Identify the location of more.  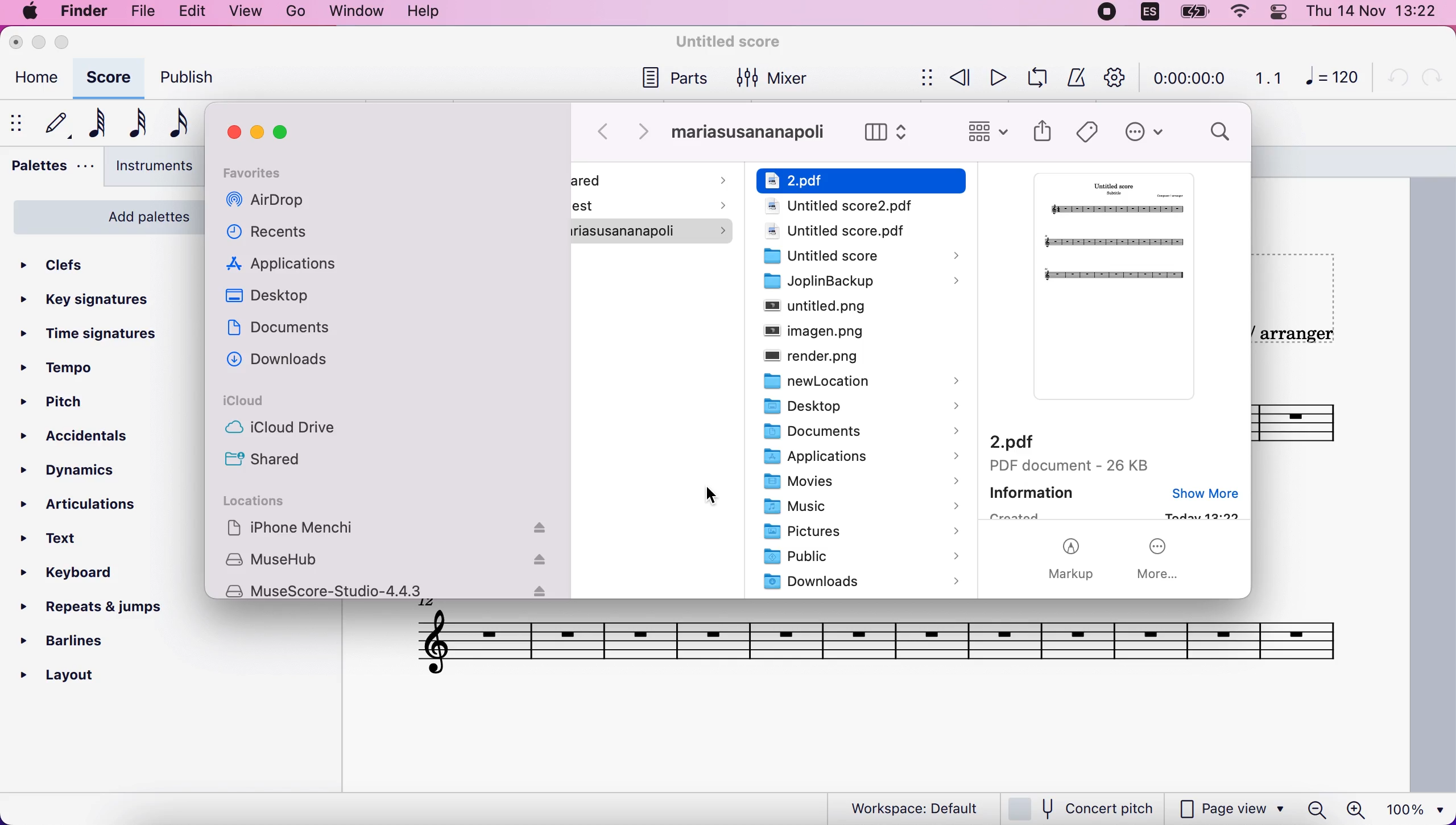
(1163, 559).